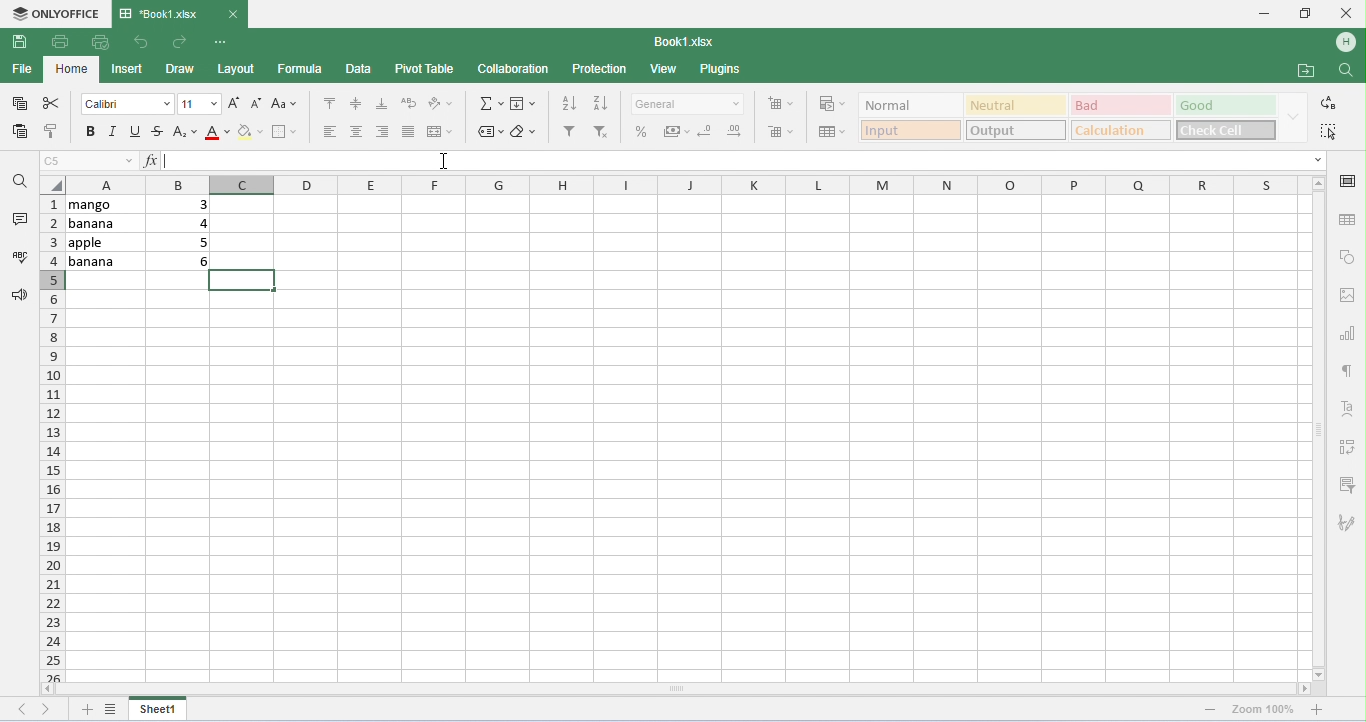 The height and width of the screenshot is (722, 1366). Describe the element at coordinates (444, 160) in the screenshot. I see `cursor` at that location.